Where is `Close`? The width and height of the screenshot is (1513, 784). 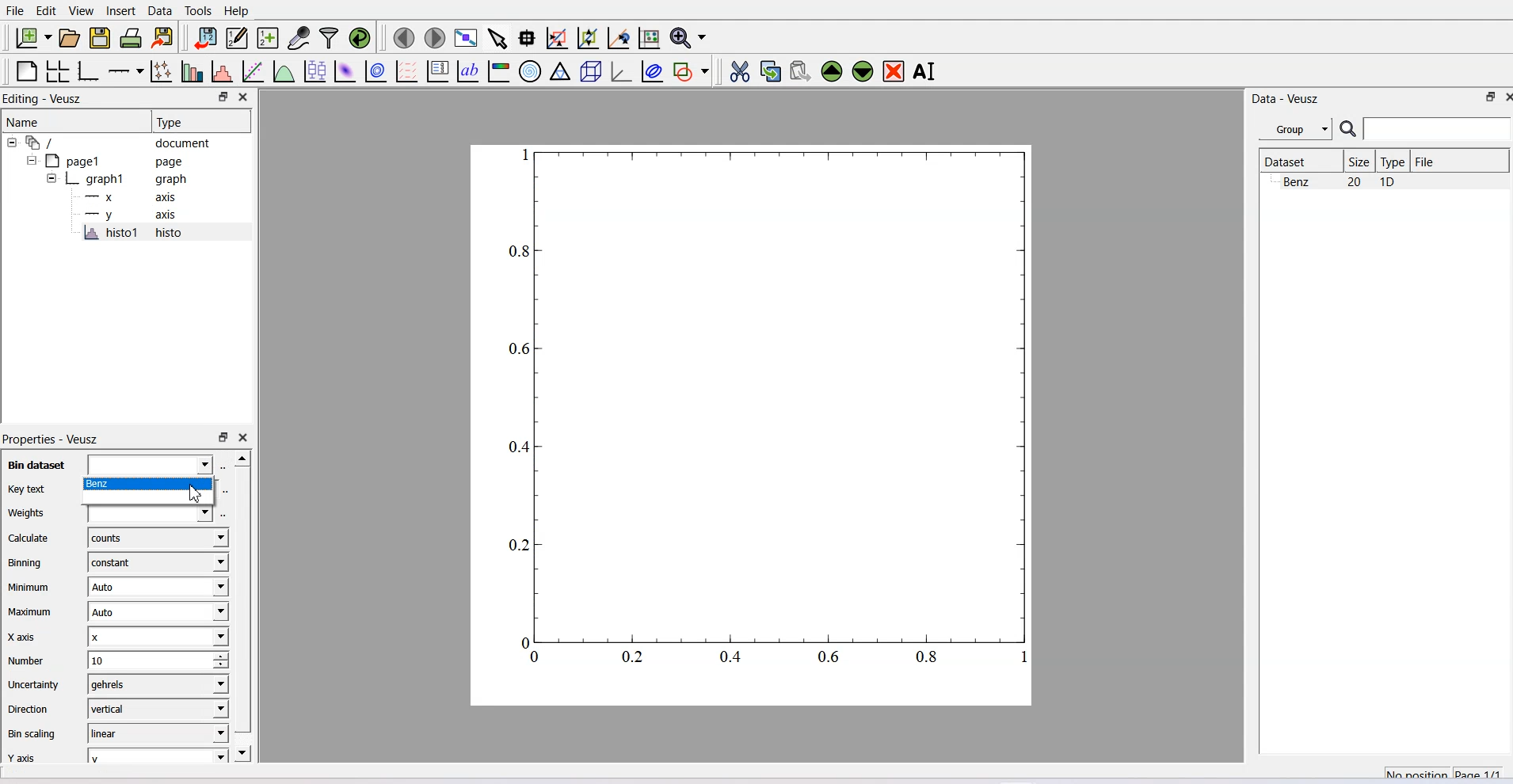
Close is located at coordinates (246, 97).